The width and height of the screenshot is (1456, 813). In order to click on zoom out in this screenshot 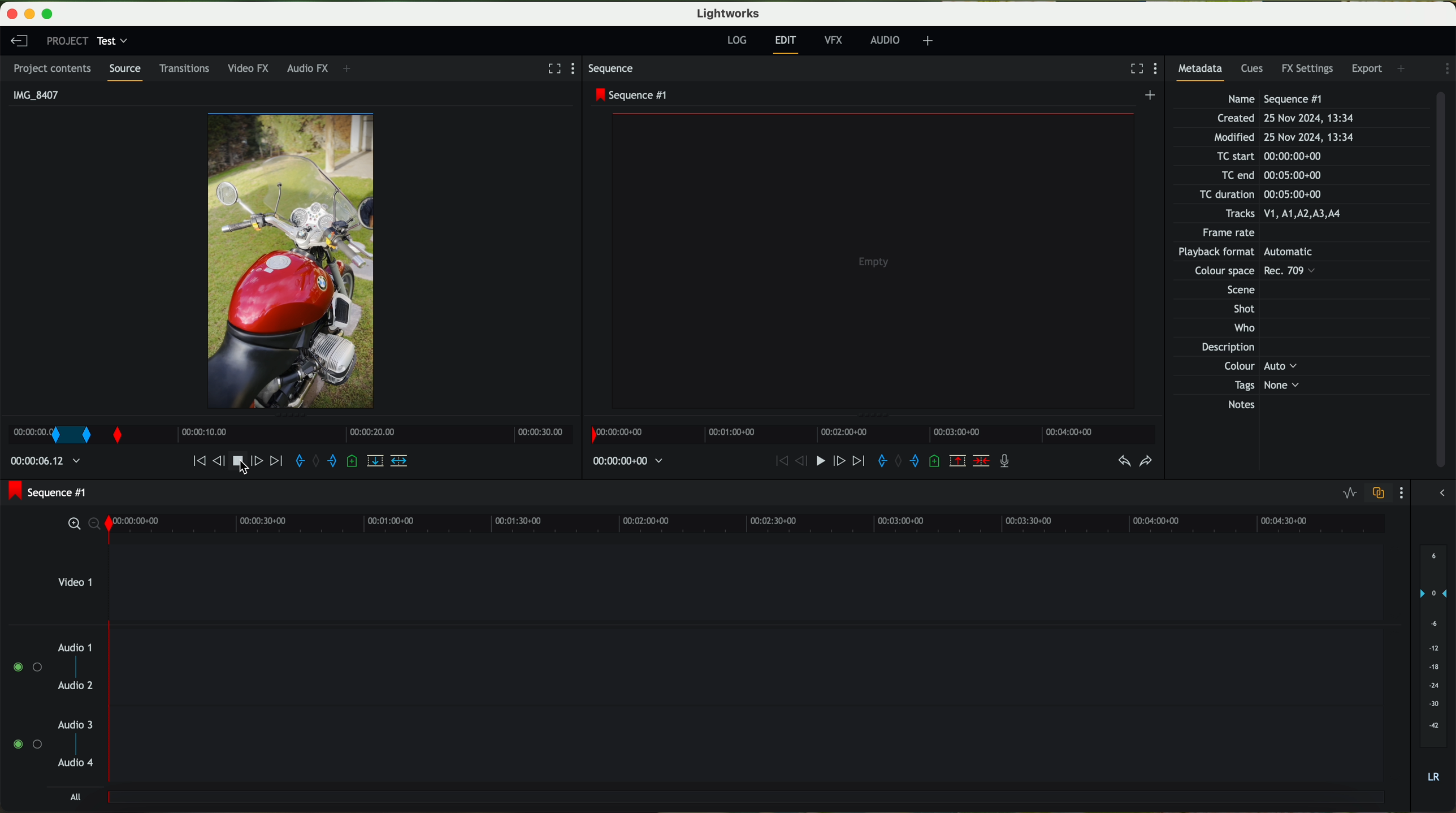, I will do `click(94, 526)`.